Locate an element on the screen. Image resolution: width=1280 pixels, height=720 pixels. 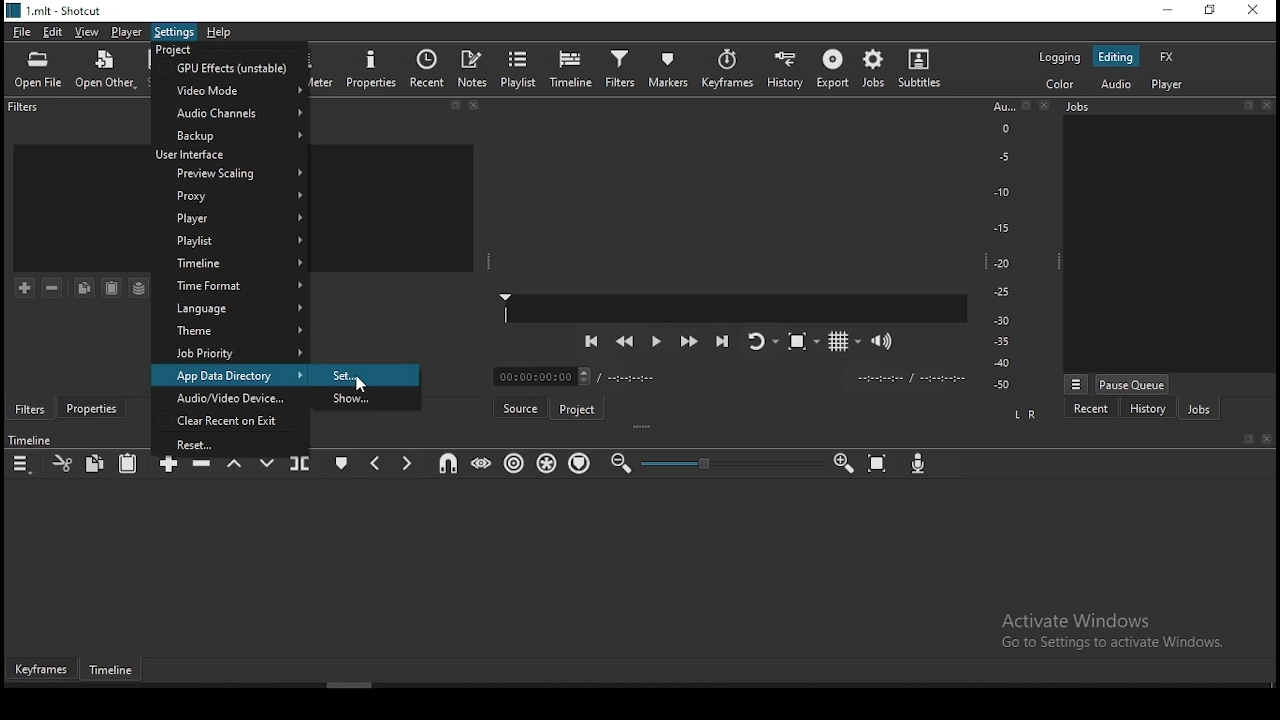
audio/video device is located at coordinates (230, 398).